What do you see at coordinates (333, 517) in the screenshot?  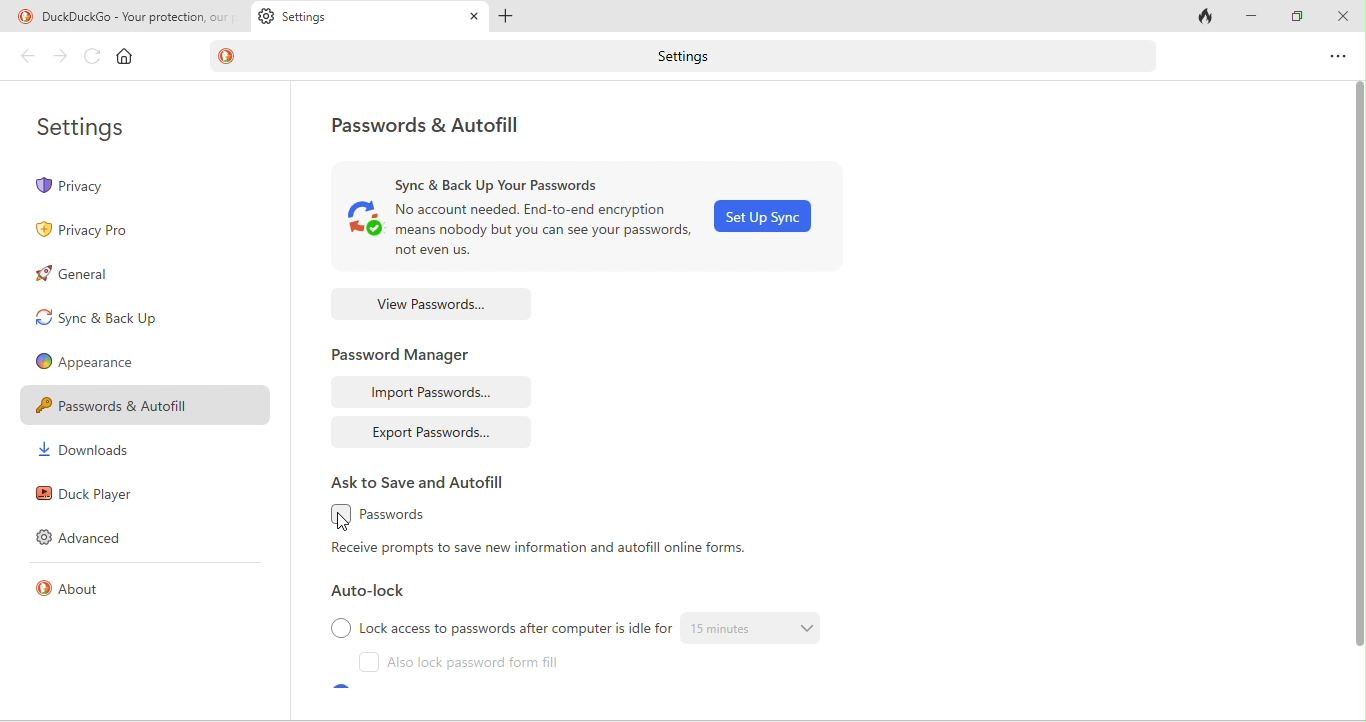 I see `enable checkbox` at bounding box center [333, 517].